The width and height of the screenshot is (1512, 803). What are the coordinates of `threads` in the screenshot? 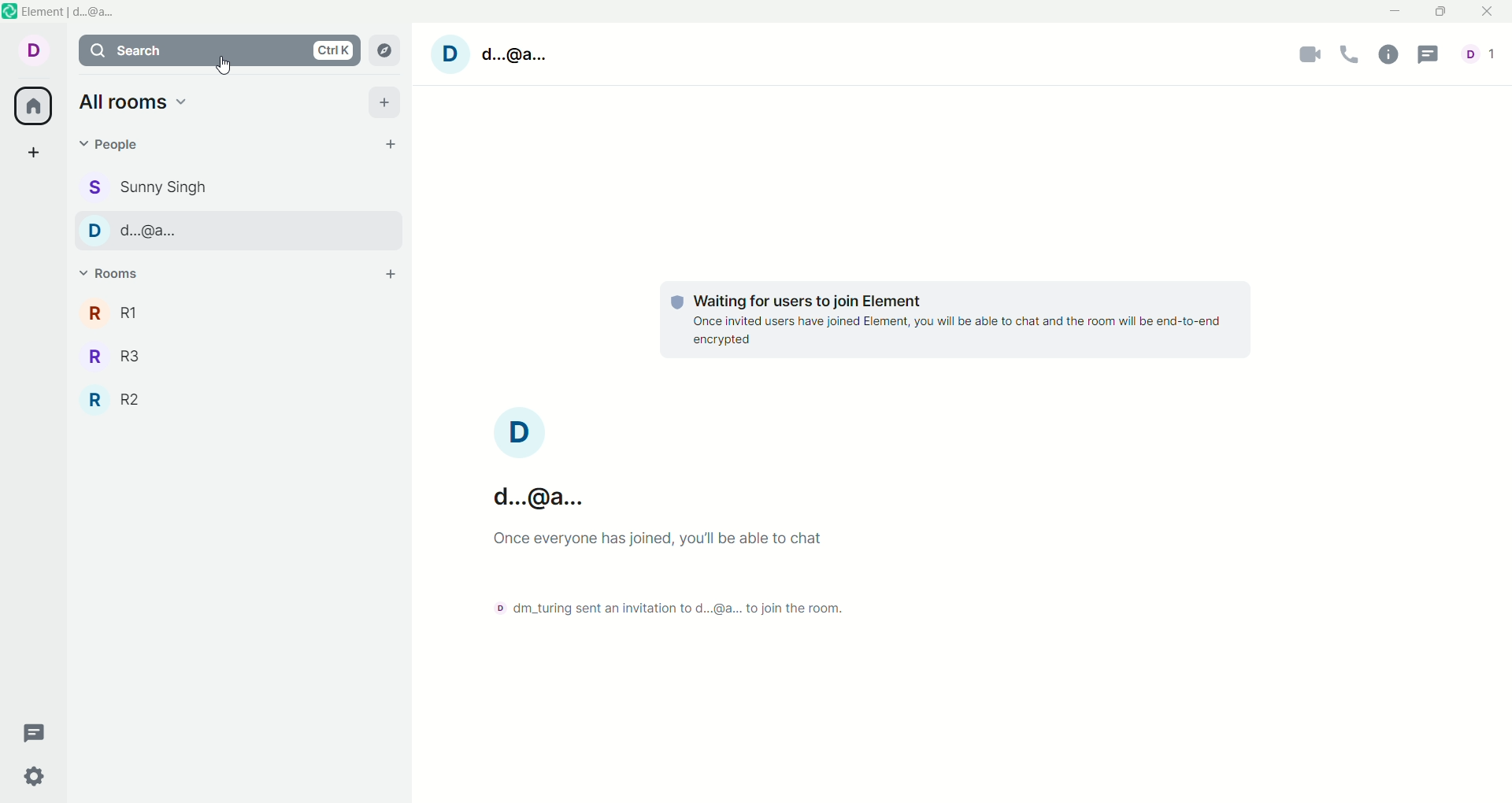 It's located at (41, 734).